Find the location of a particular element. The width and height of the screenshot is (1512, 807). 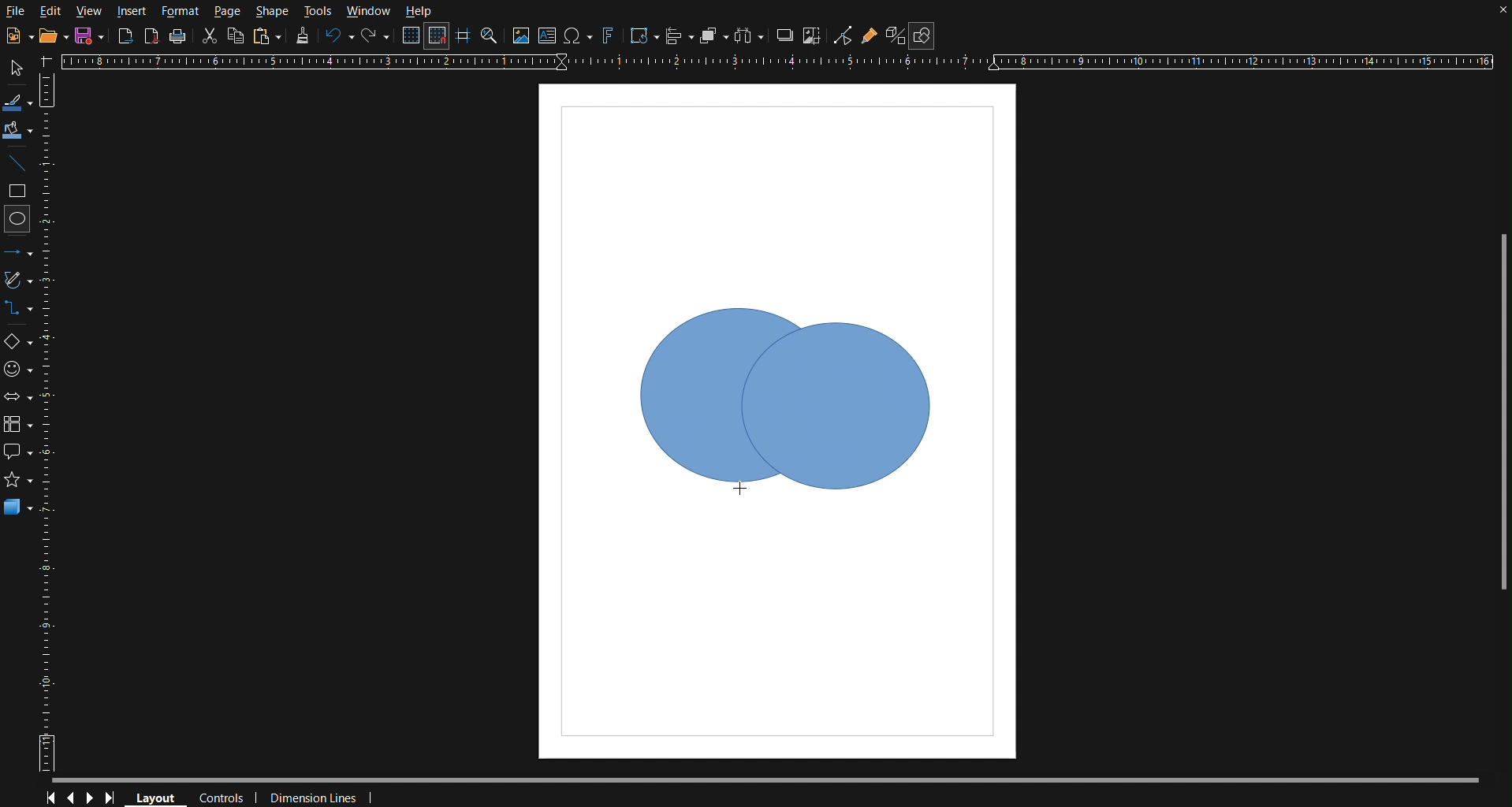

Gluepoint Function is located at coordinates (870, 37).